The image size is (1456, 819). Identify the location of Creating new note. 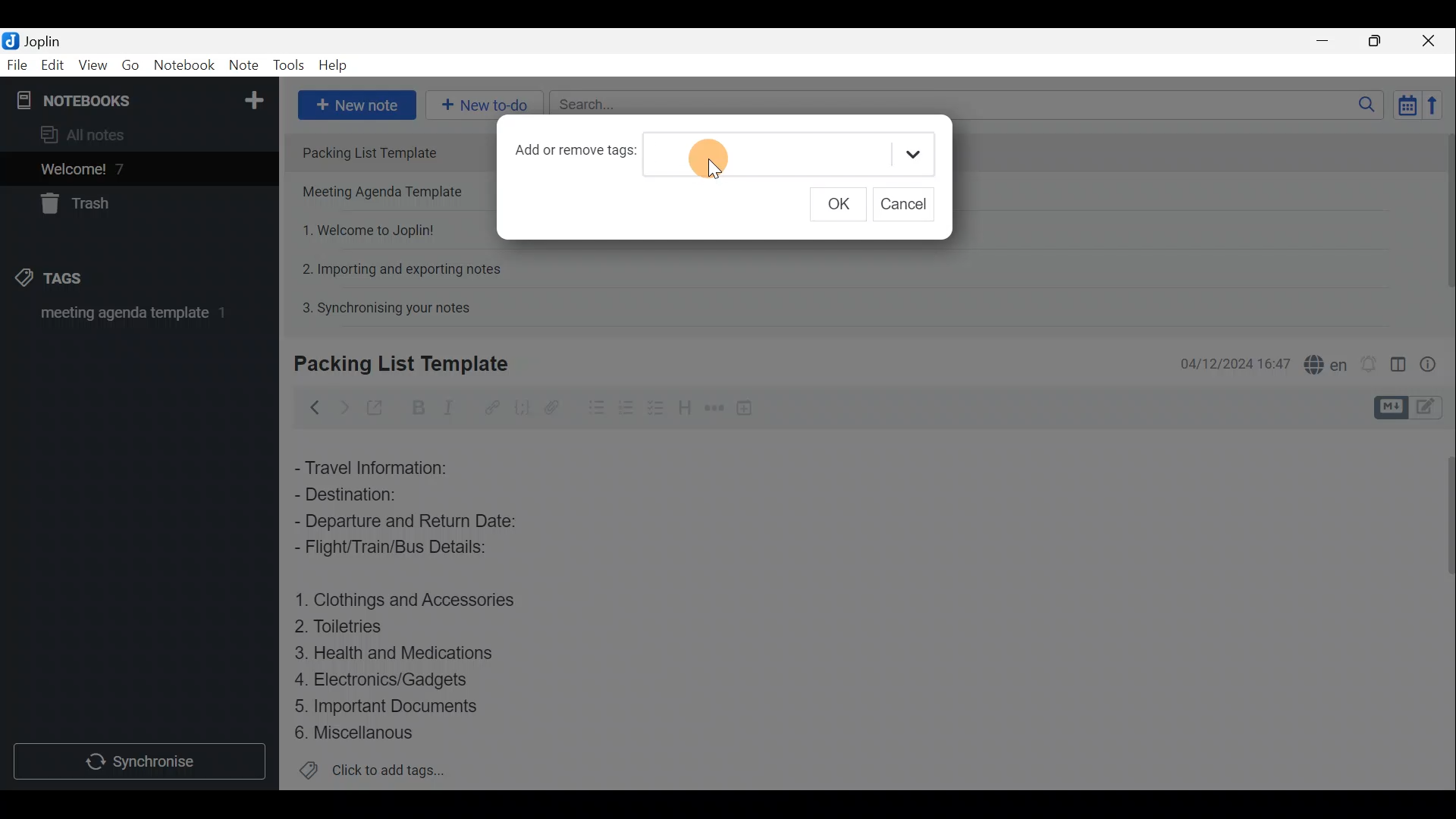
(392, 365).